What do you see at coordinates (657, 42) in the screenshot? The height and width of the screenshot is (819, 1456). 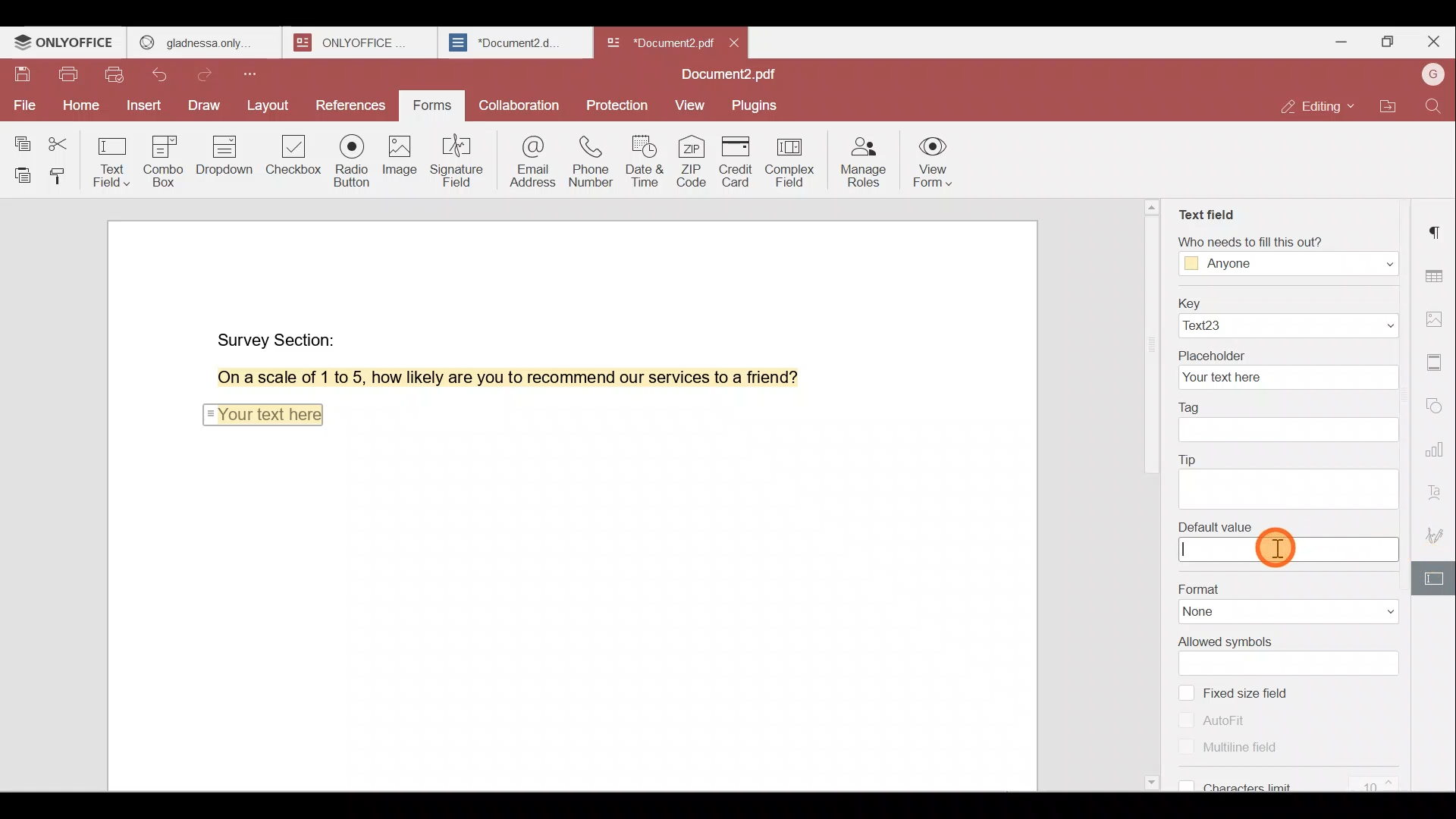 I see `Document2.pdf` at bounding box center [657, 42].